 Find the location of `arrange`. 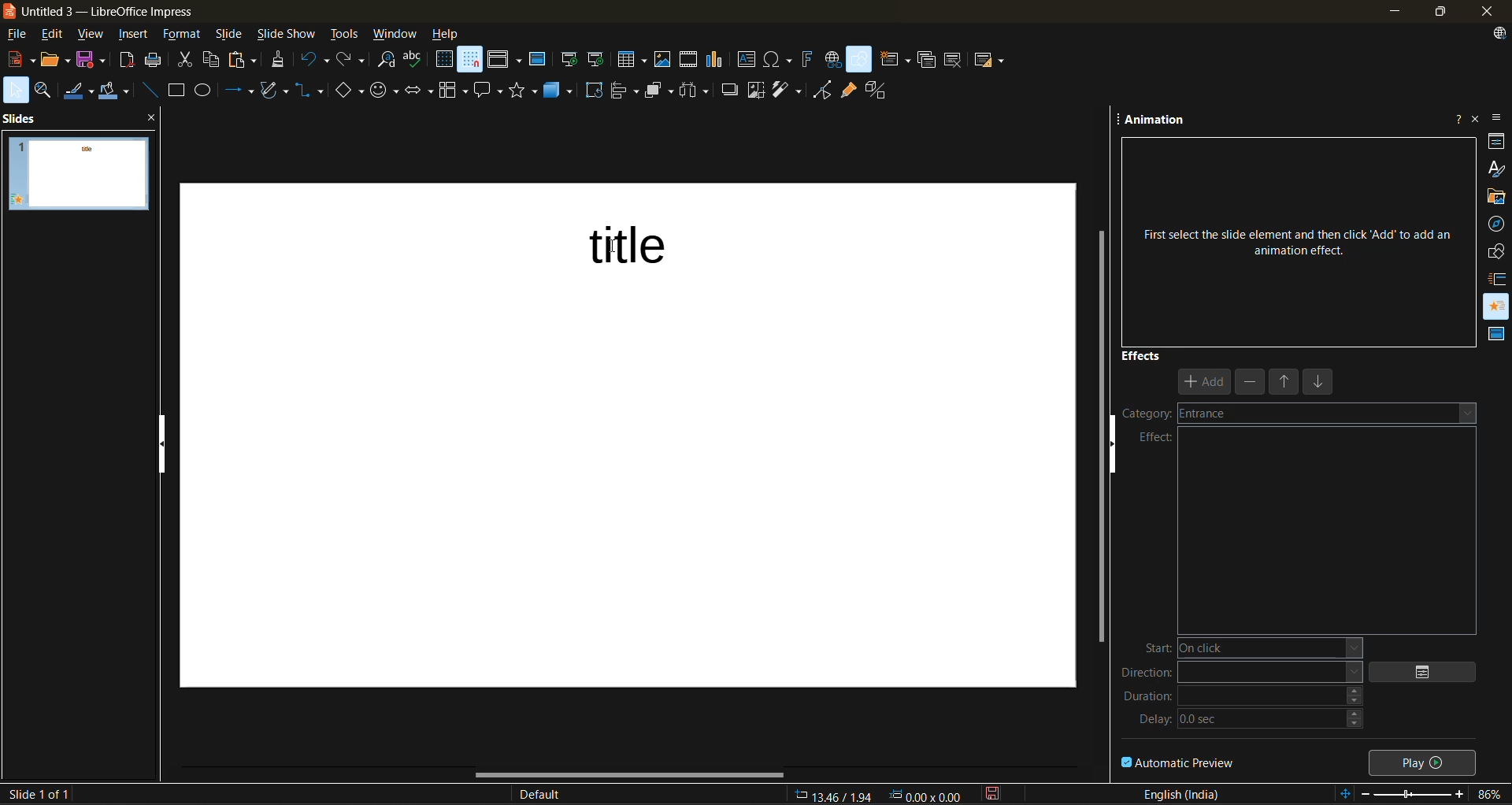

arrange is located at coordinates (661, 91).